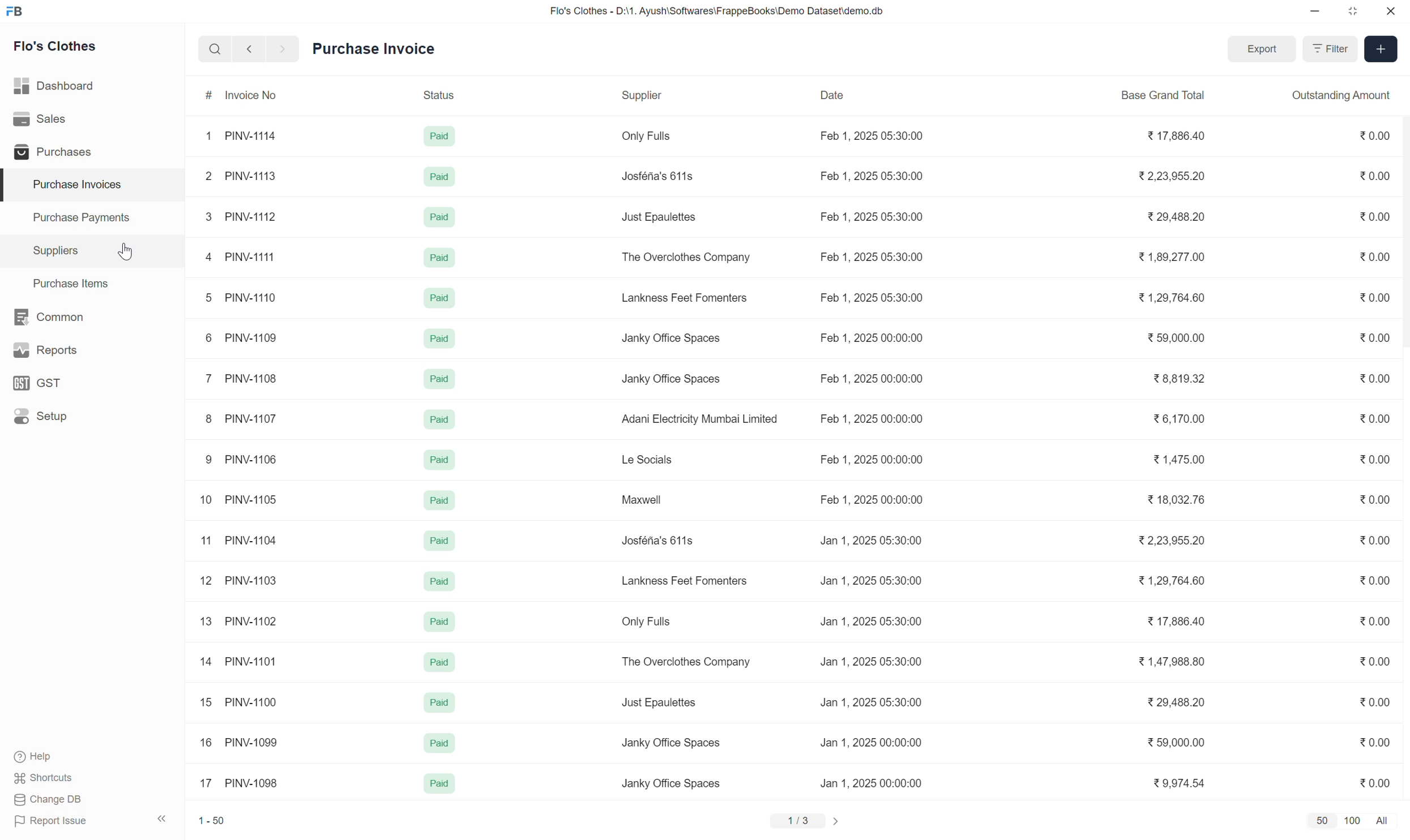  Describe the element at coordinates (277, 96) in the screenshot. I see `# Invoice No` at that location.